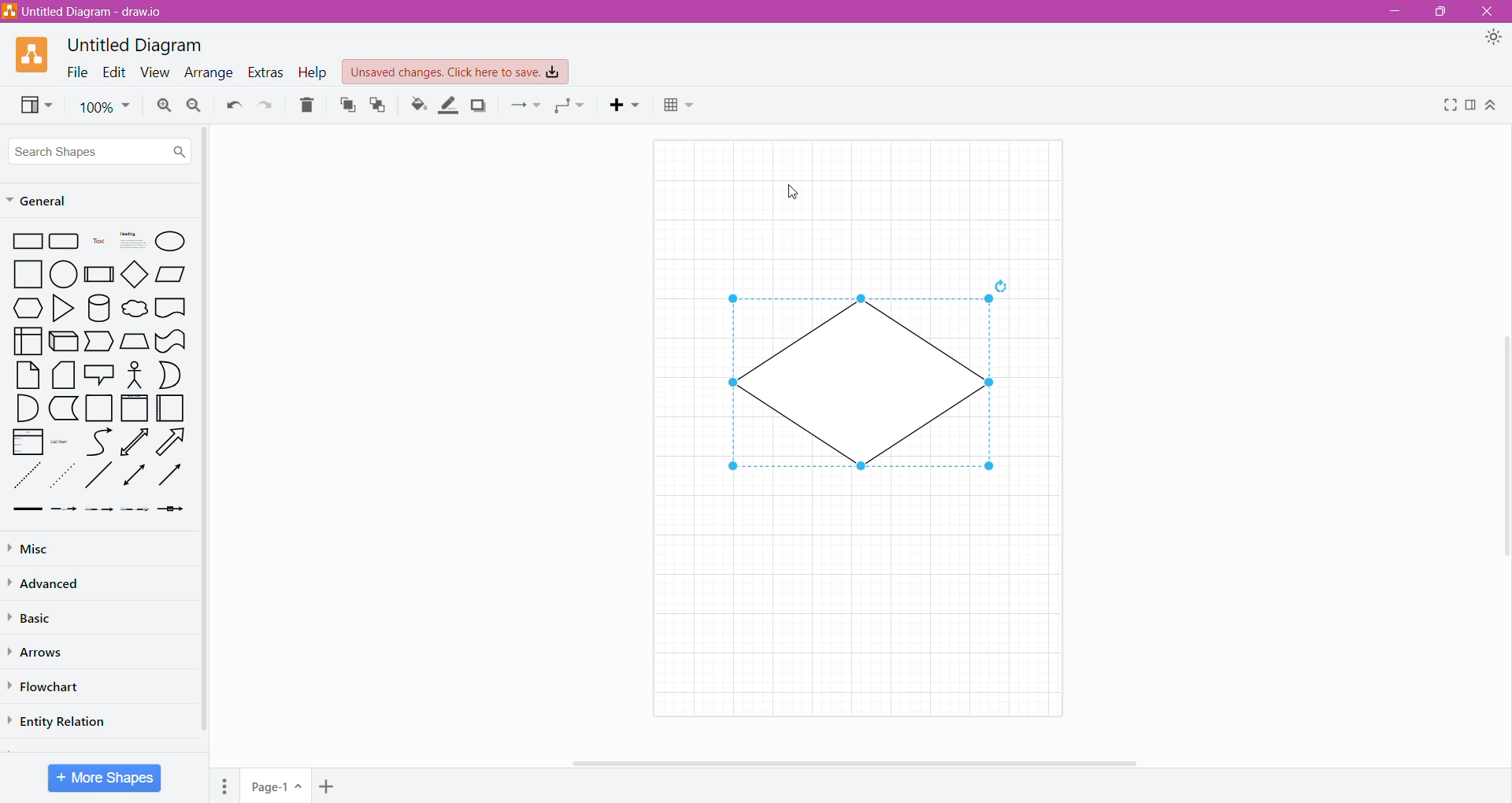  I want to click on Search Shapes, so click(100, 151).